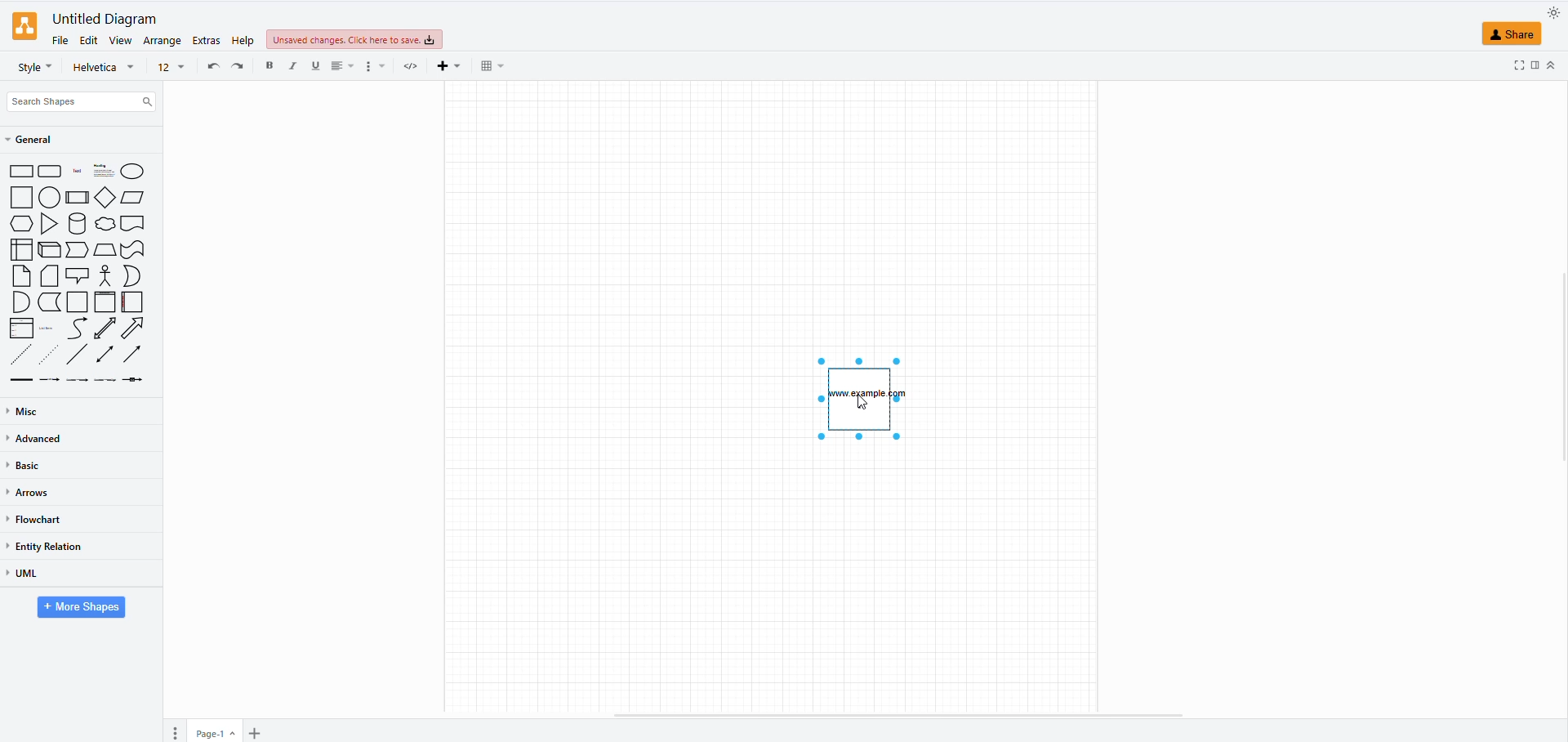 Image resolution: width=1568 pixels, height=742 pixels. Describe the element at coordinates (136, 357) in the screenshot. I see `directional container` at that location.